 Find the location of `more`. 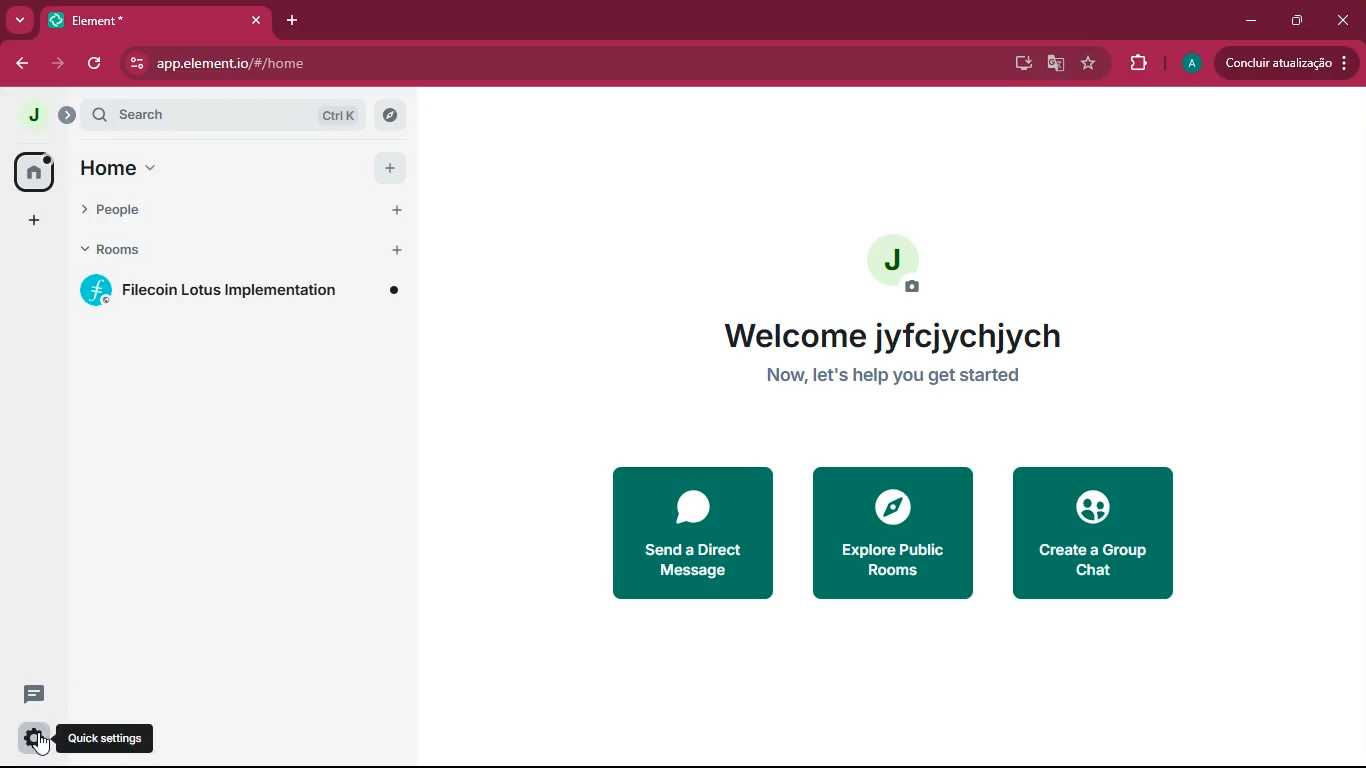

more is located at coordinates (21, 21).